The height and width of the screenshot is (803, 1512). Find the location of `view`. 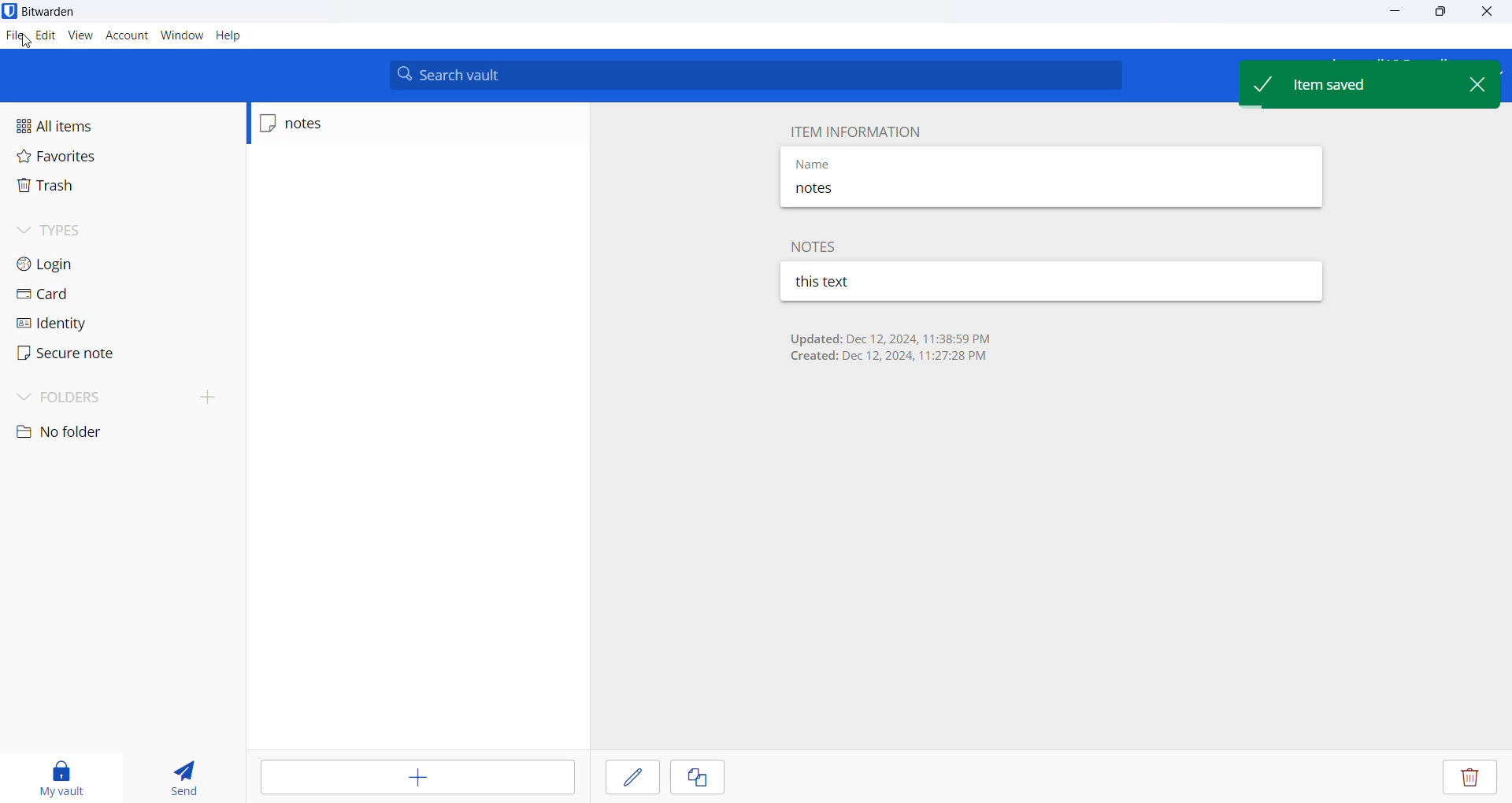

view is located at coordinates (79, 35).